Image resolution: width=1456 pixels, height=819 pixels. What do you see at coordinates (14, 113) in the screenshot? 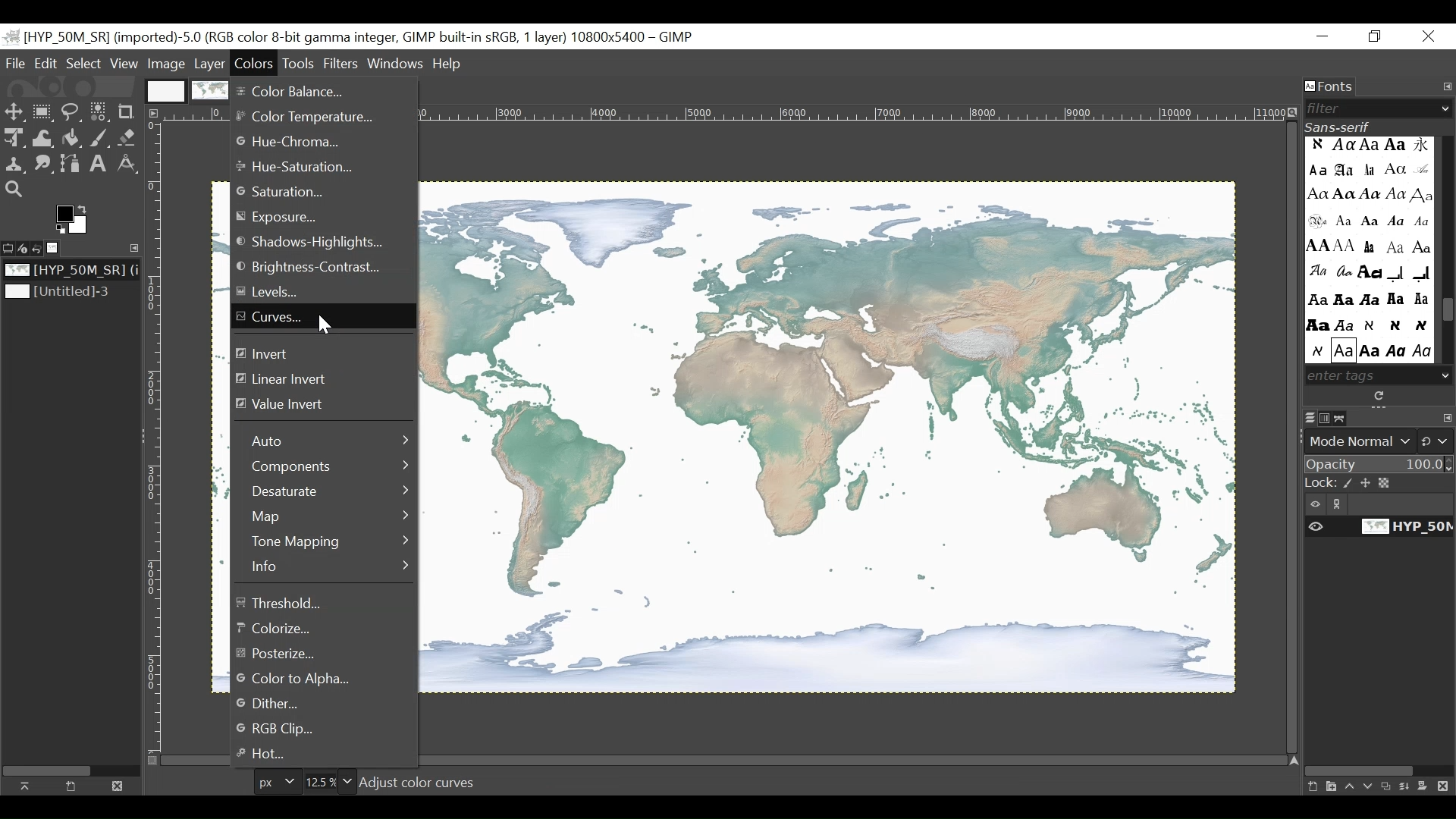
I see `Select tool` at bounding box center [14, 113].